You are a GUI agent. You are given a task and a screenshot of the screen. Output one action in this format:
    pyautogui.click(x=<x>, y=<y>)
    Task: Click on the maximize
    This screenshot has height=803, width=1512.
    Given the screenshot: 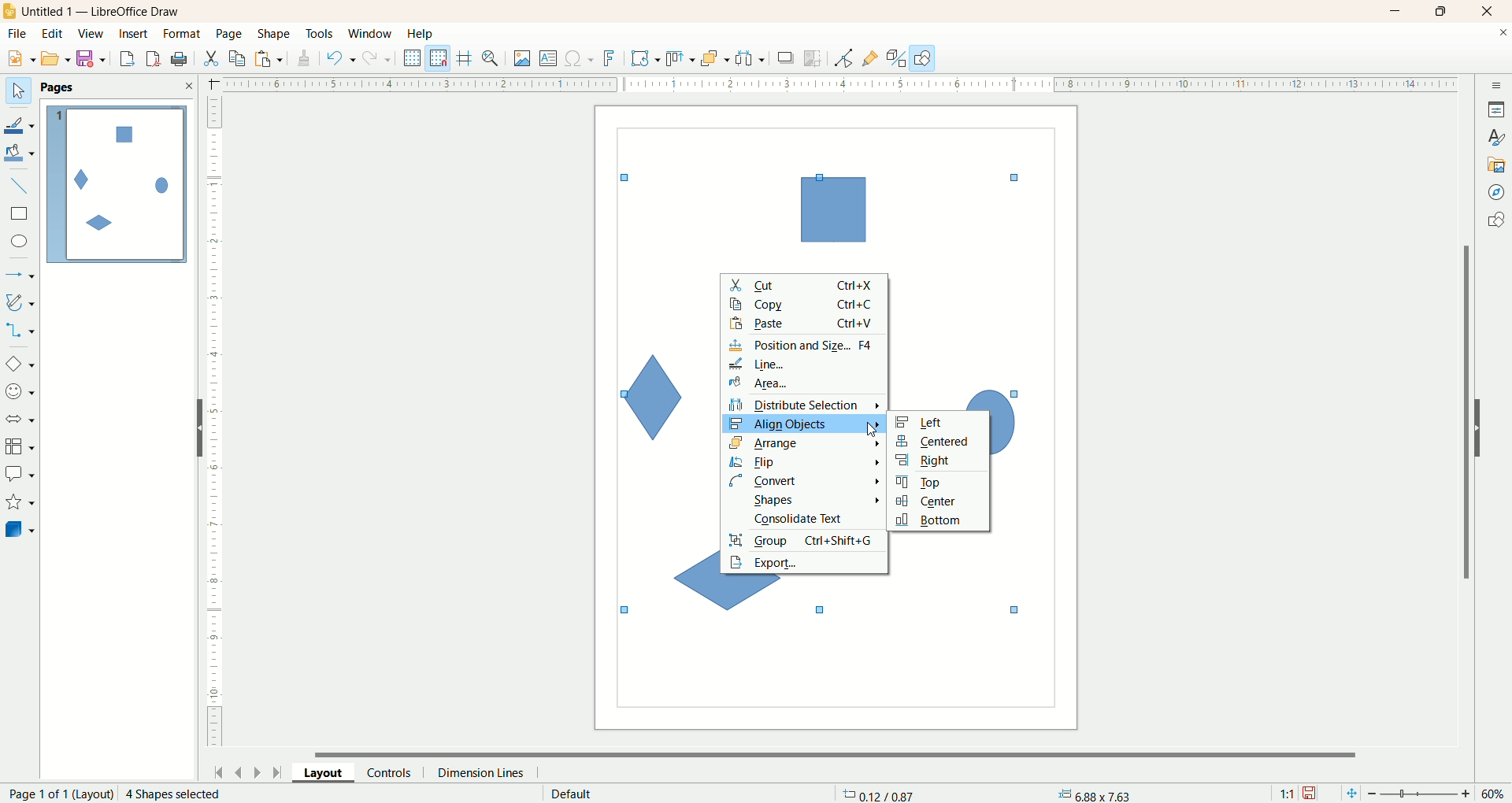 What is the action you would take?
    pyautogui.click(x=1442, y=11)
    